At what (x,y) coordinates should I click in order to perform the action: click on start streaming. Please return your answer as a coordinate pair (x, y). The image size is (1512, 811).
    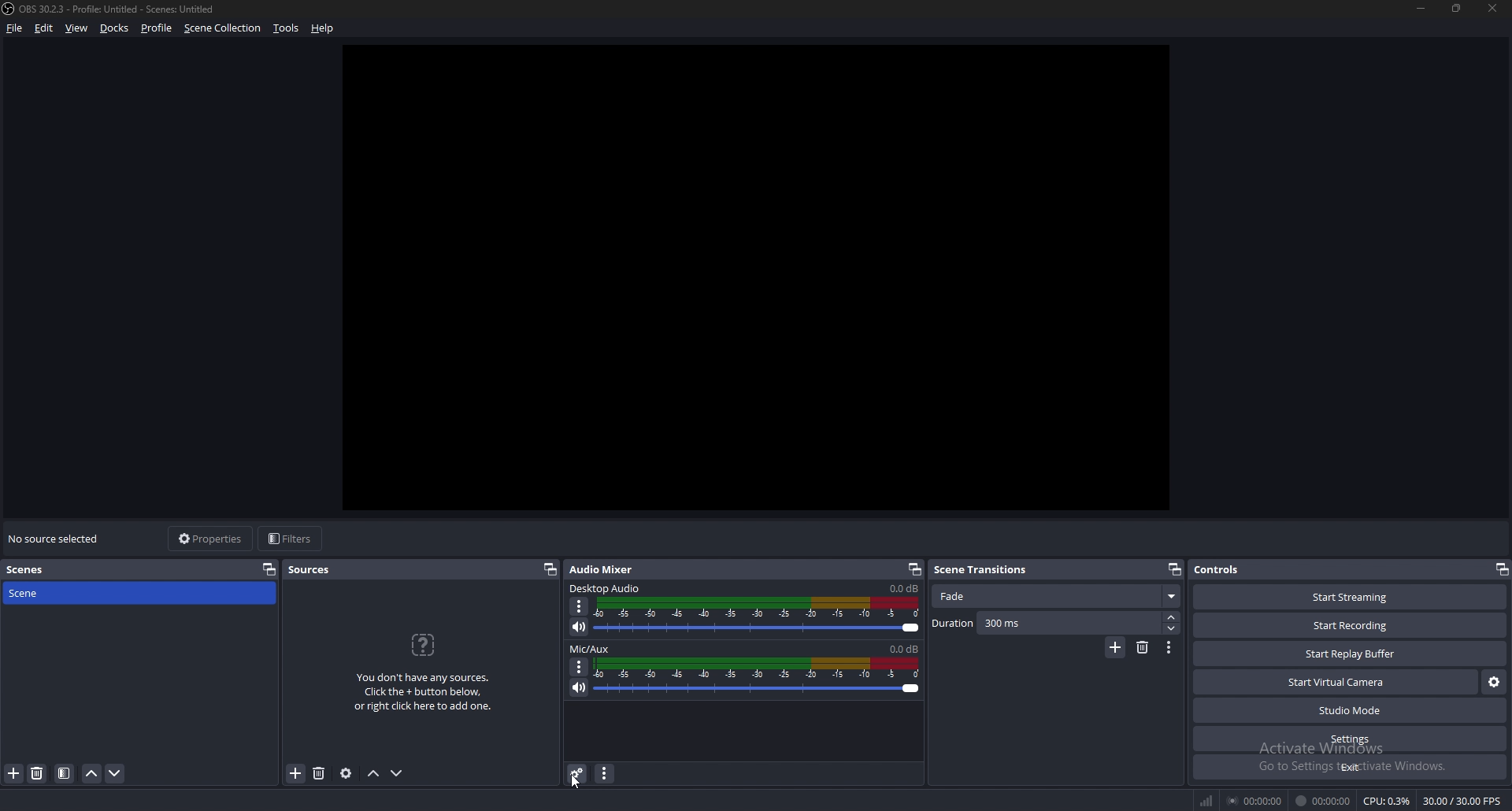
    Looking at the image, I should click on (1349, 597).